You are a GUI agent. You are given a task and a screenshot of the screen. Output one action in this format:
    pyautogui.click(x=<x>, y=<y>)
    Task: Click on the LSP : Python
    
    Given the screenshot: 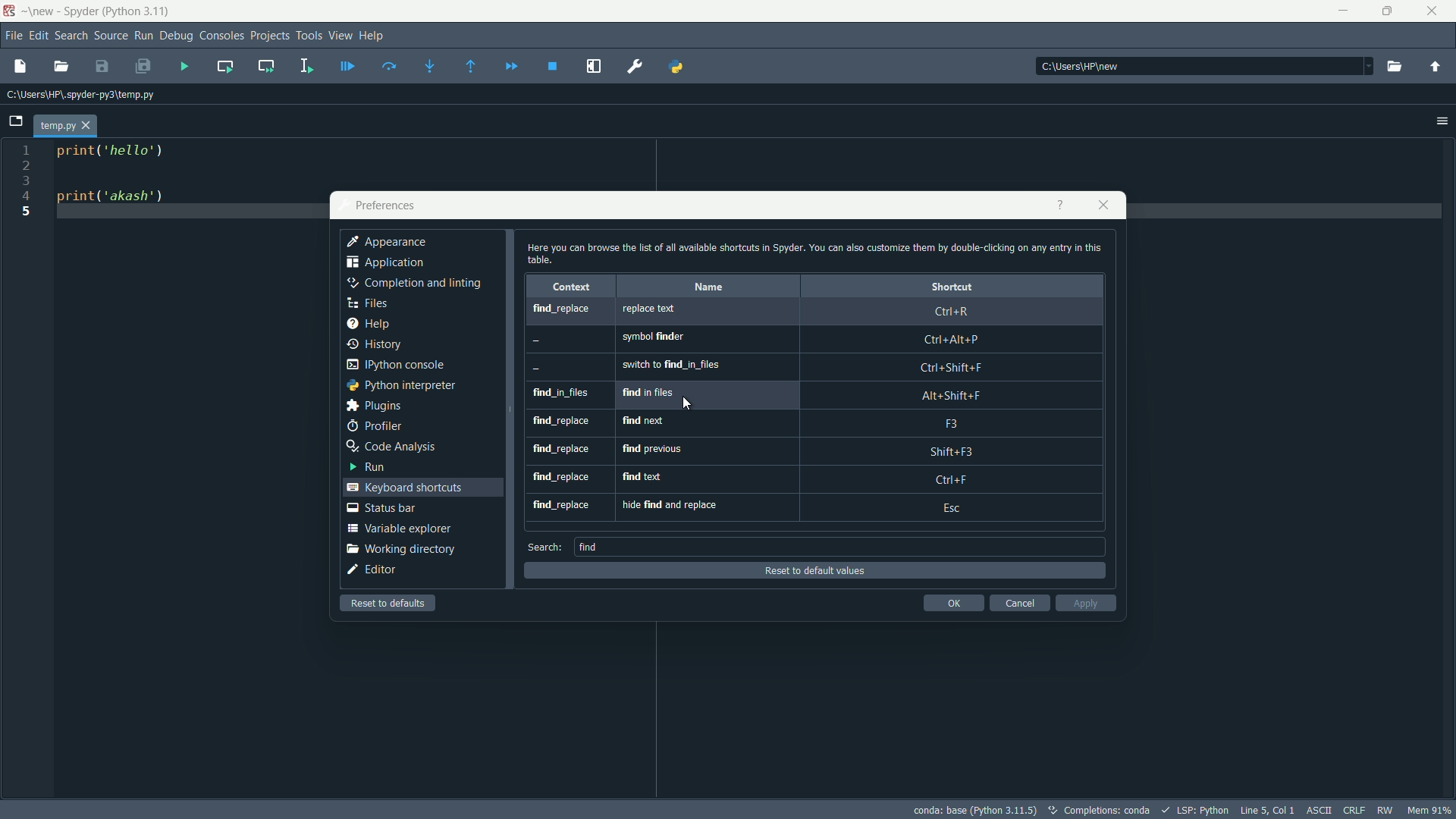 What is the action you would take?
    pyautogui.click(x=1197, y=811)
    